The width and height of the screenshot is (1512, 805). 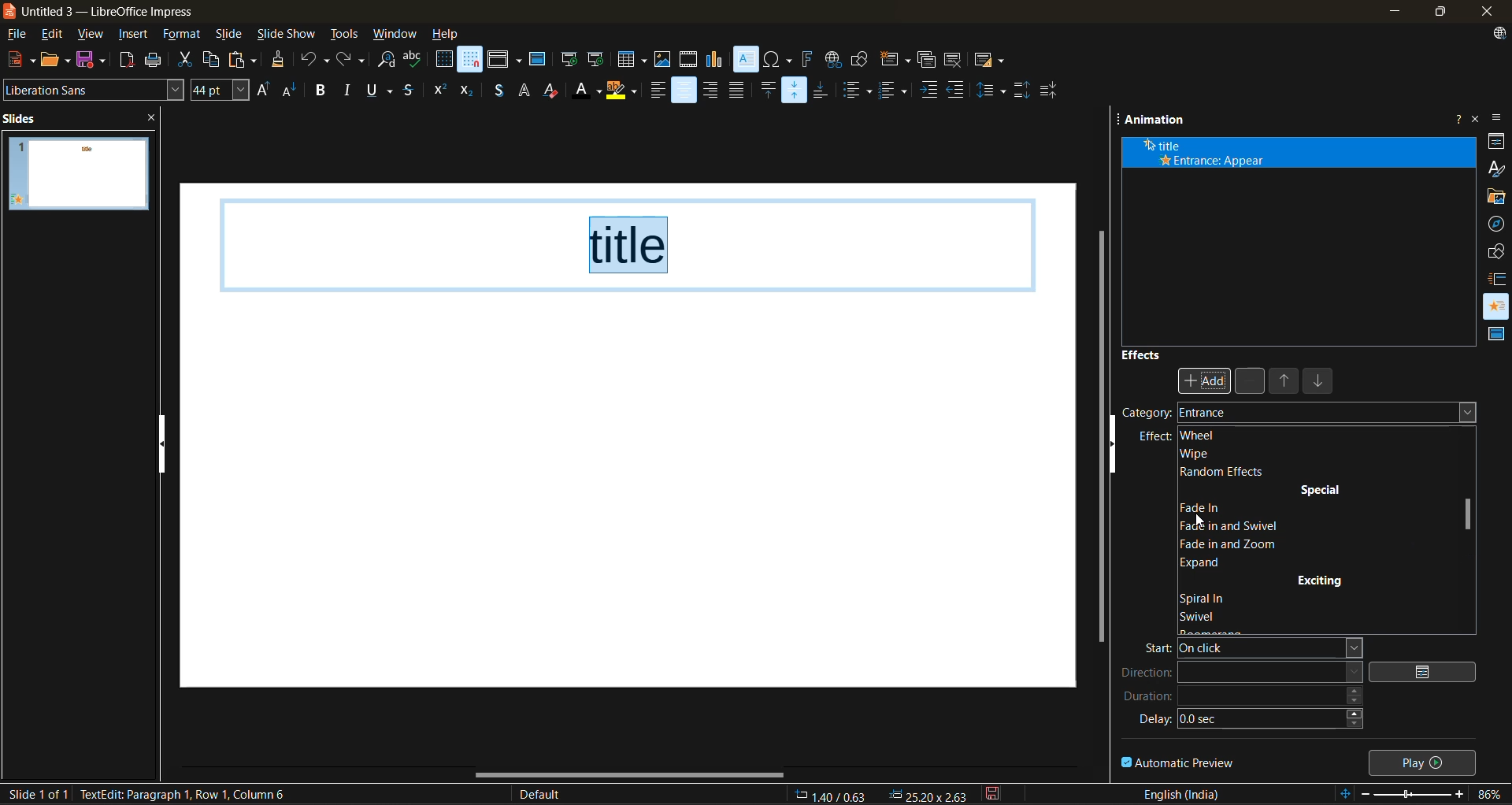 I want to click on paste, so click(x=246, y=60).